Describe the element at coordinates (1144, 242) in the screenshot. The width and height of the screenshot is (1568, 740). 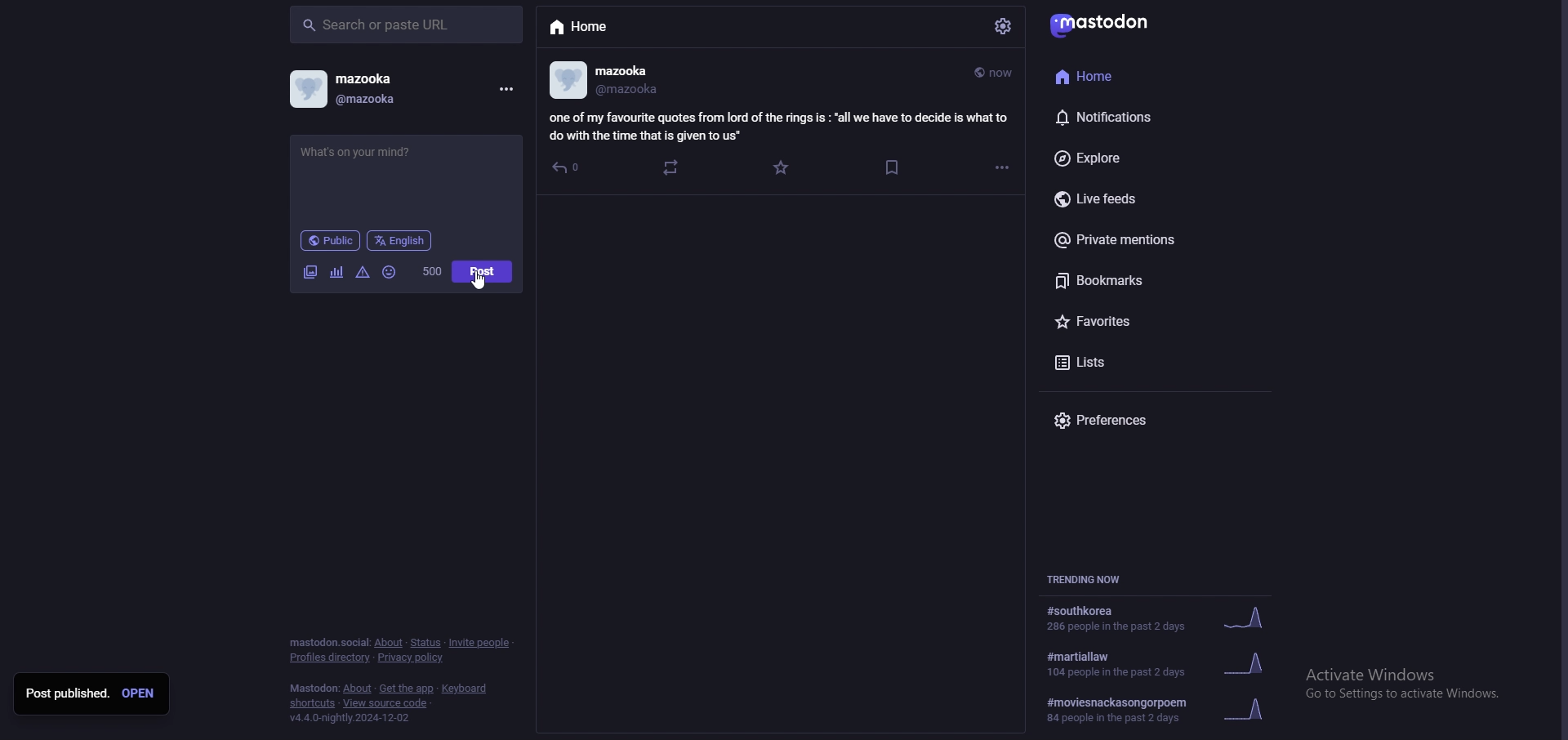
I see `private mentions` at that location.